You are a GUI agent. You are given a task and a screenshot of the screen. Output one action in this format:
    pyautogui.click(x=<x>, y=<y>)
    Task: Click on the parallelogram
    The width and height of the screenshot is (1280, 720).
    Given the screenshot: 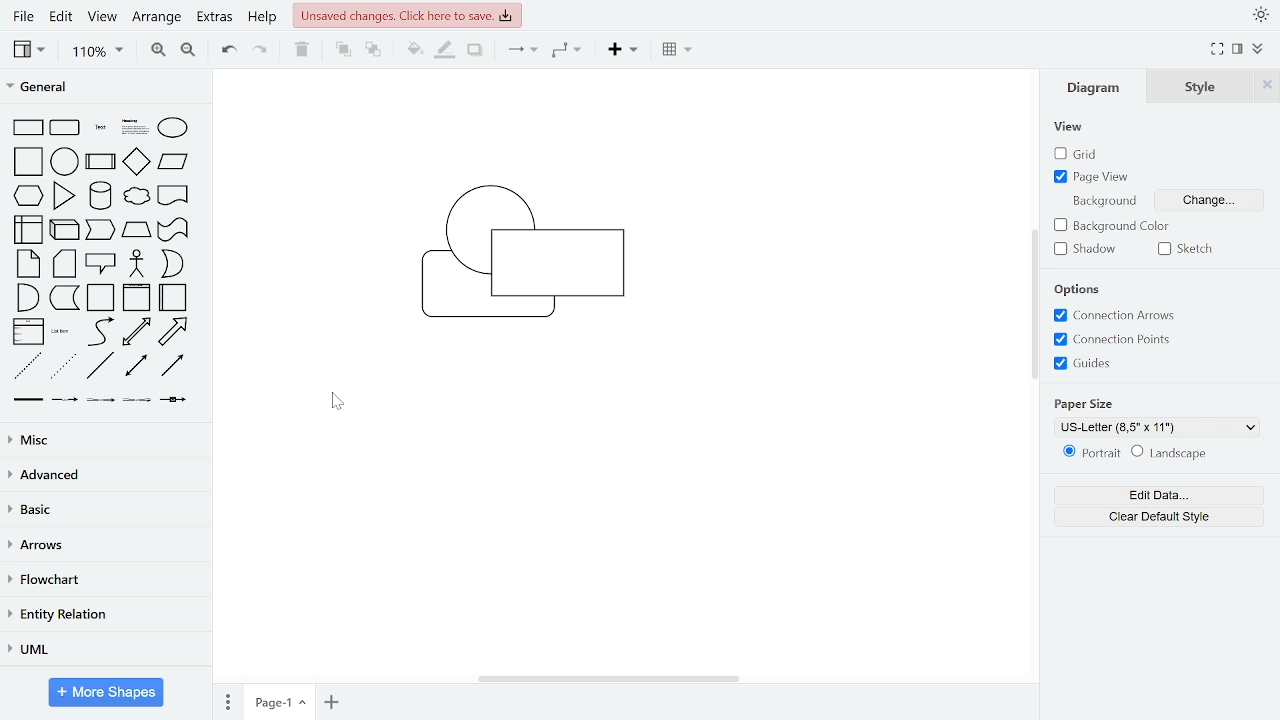 What is the action you would take?
    pyautogui.click(x=173, y=163)
    